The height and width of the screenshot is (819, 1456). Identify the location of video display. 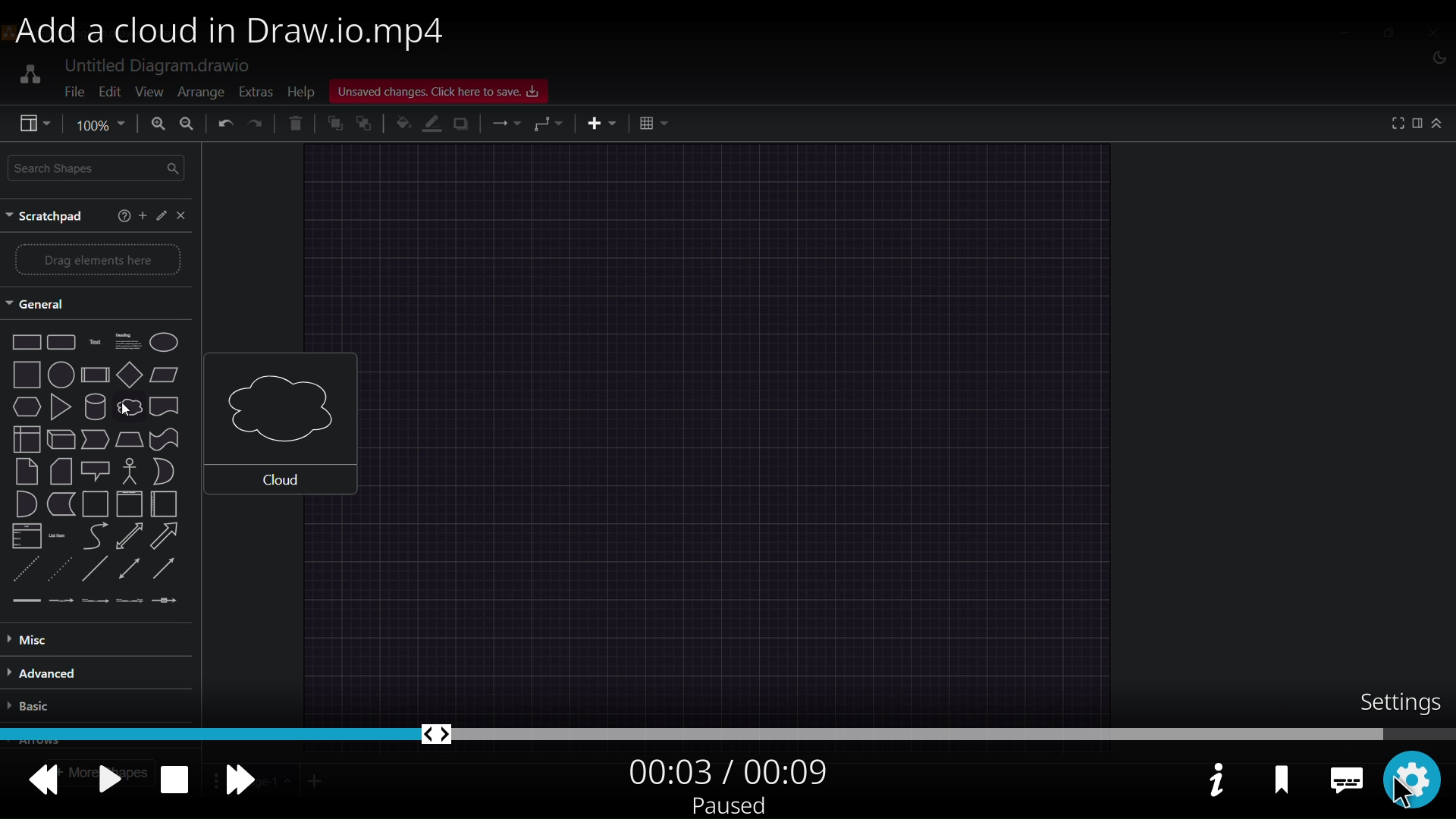
(733, 372).